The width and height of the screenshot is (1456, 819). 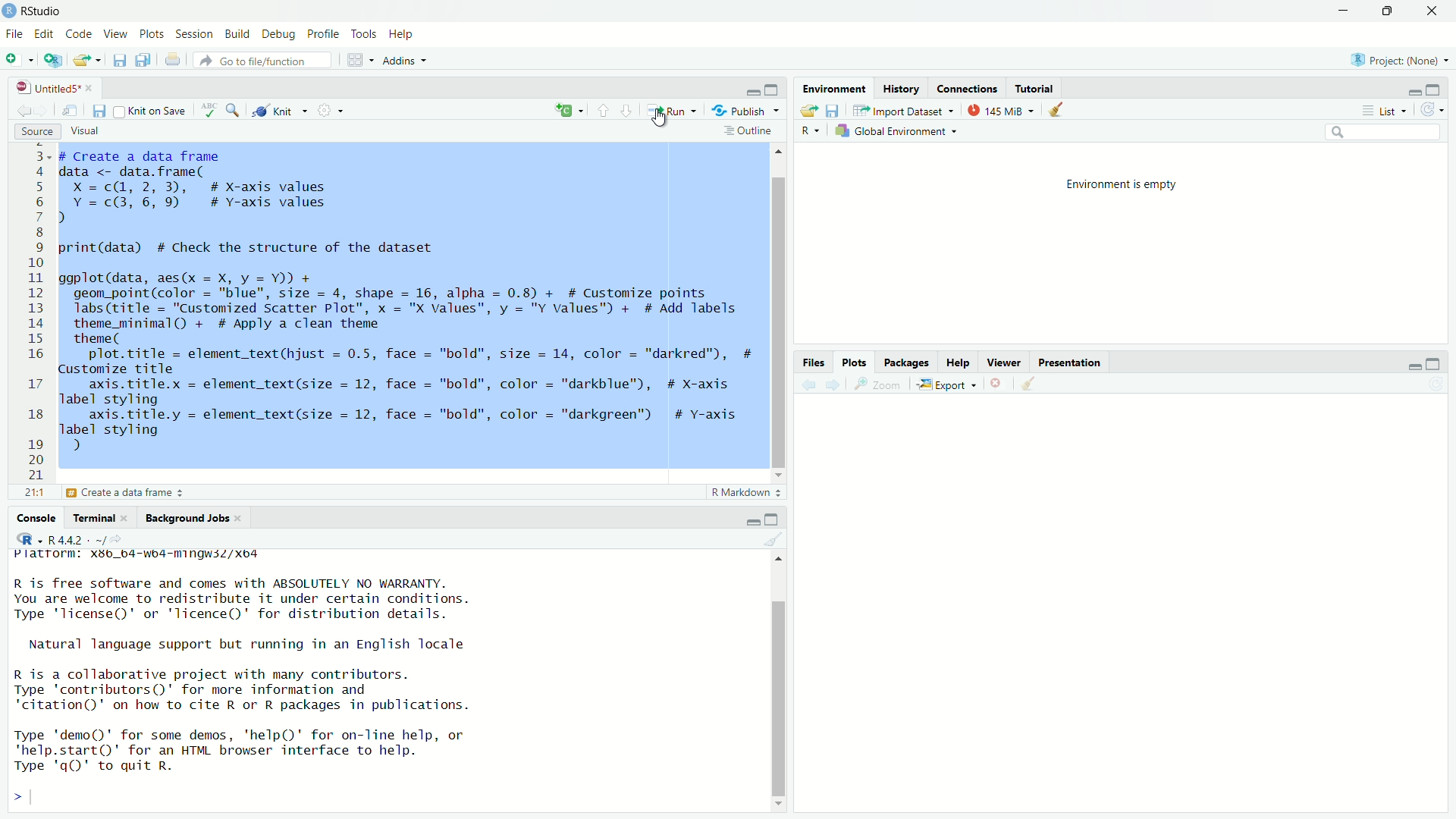 What do you see at coordinates (173, 60) in the screenshot?
I see `Print the current file` at bounding box center [173, 60].